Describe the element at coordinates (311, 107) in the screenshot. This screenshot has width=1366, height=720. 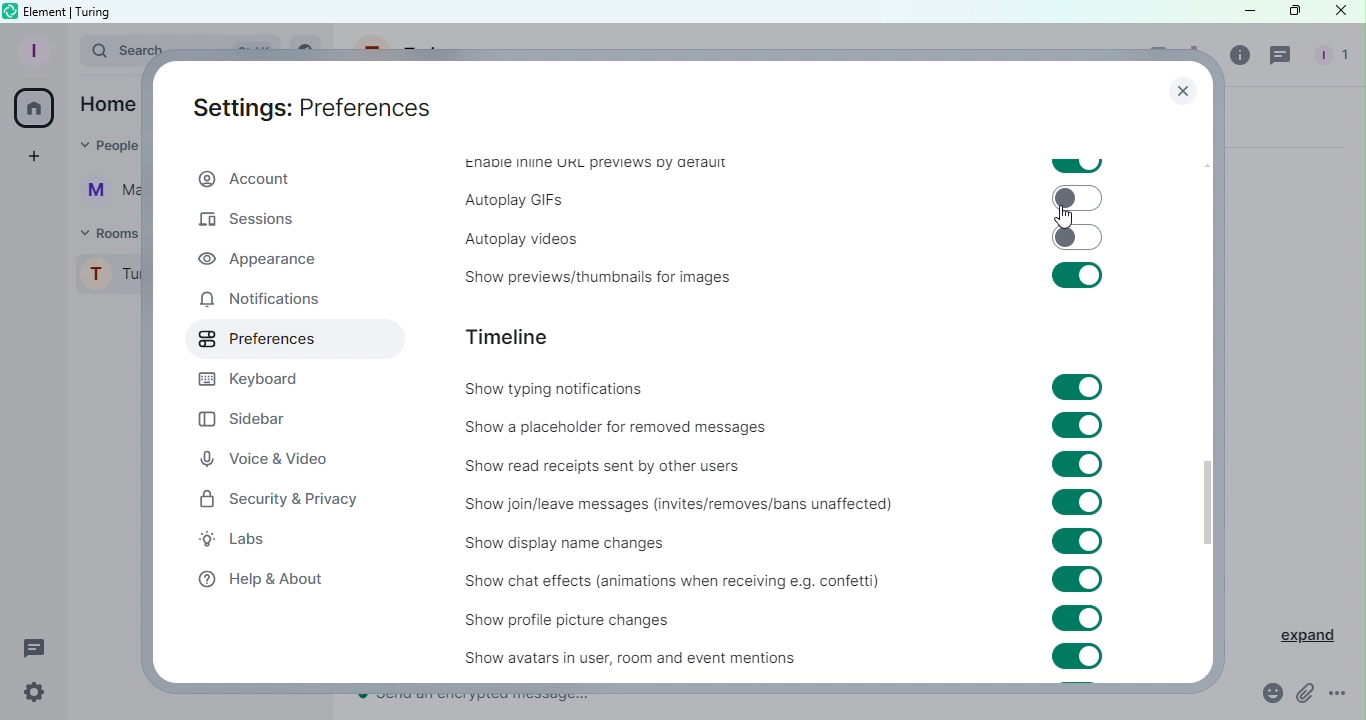
I see `Settings: Preferences` at that location.